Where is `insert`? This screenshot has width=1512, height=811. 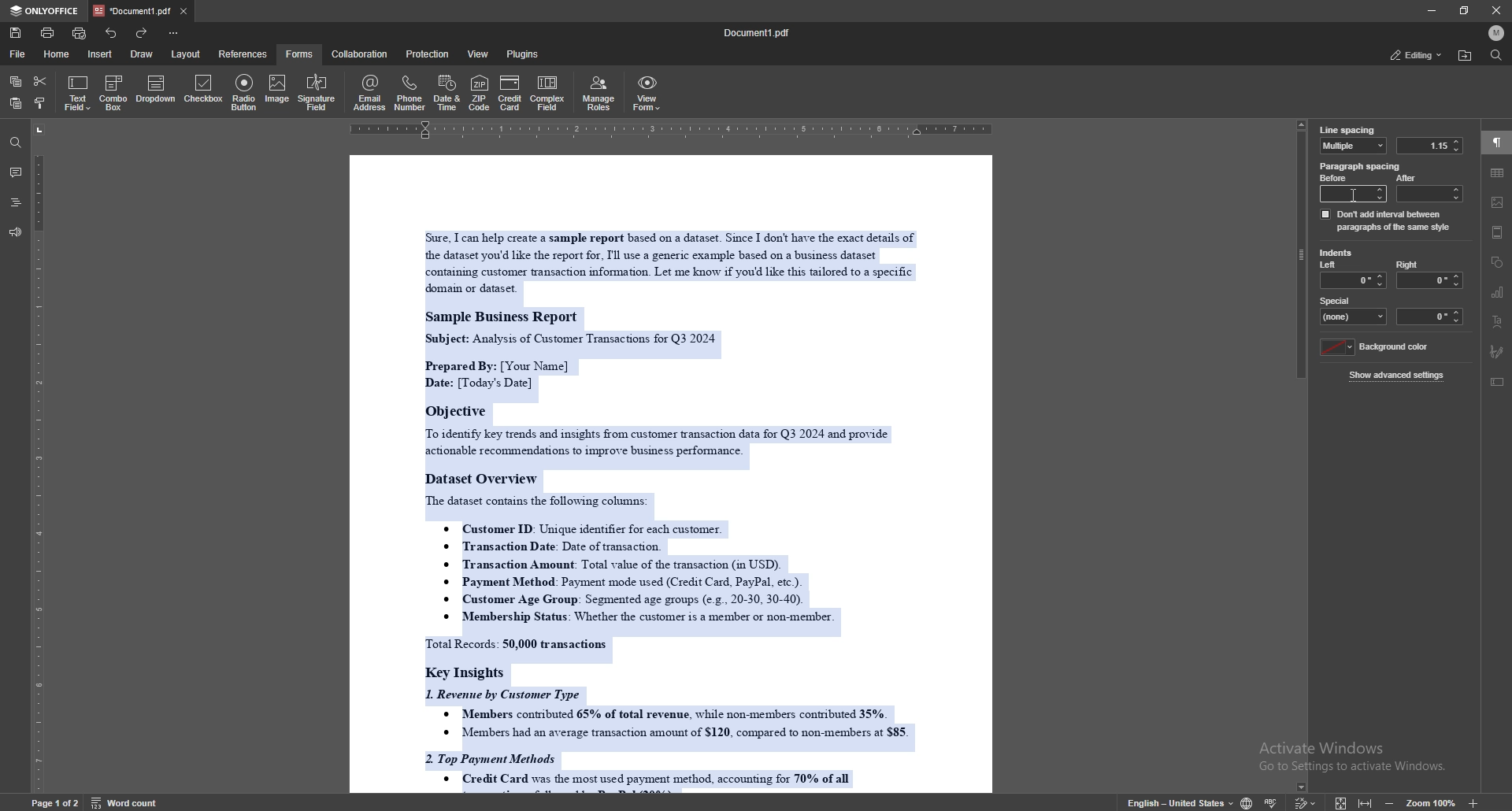 insert is located at coordinates (99, 54).